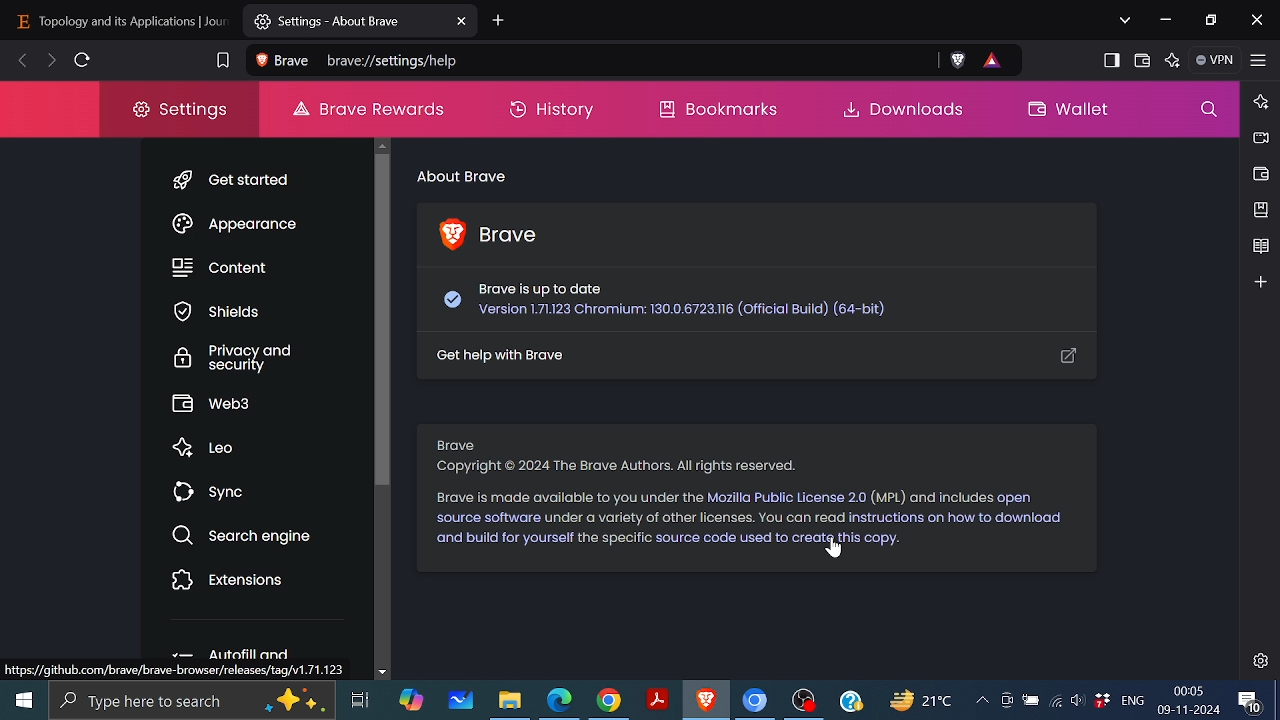  What do you see at coordinates (382, 320) in the screenshot?
I see `vertical scrollbar` at bounding box center [382, 320].